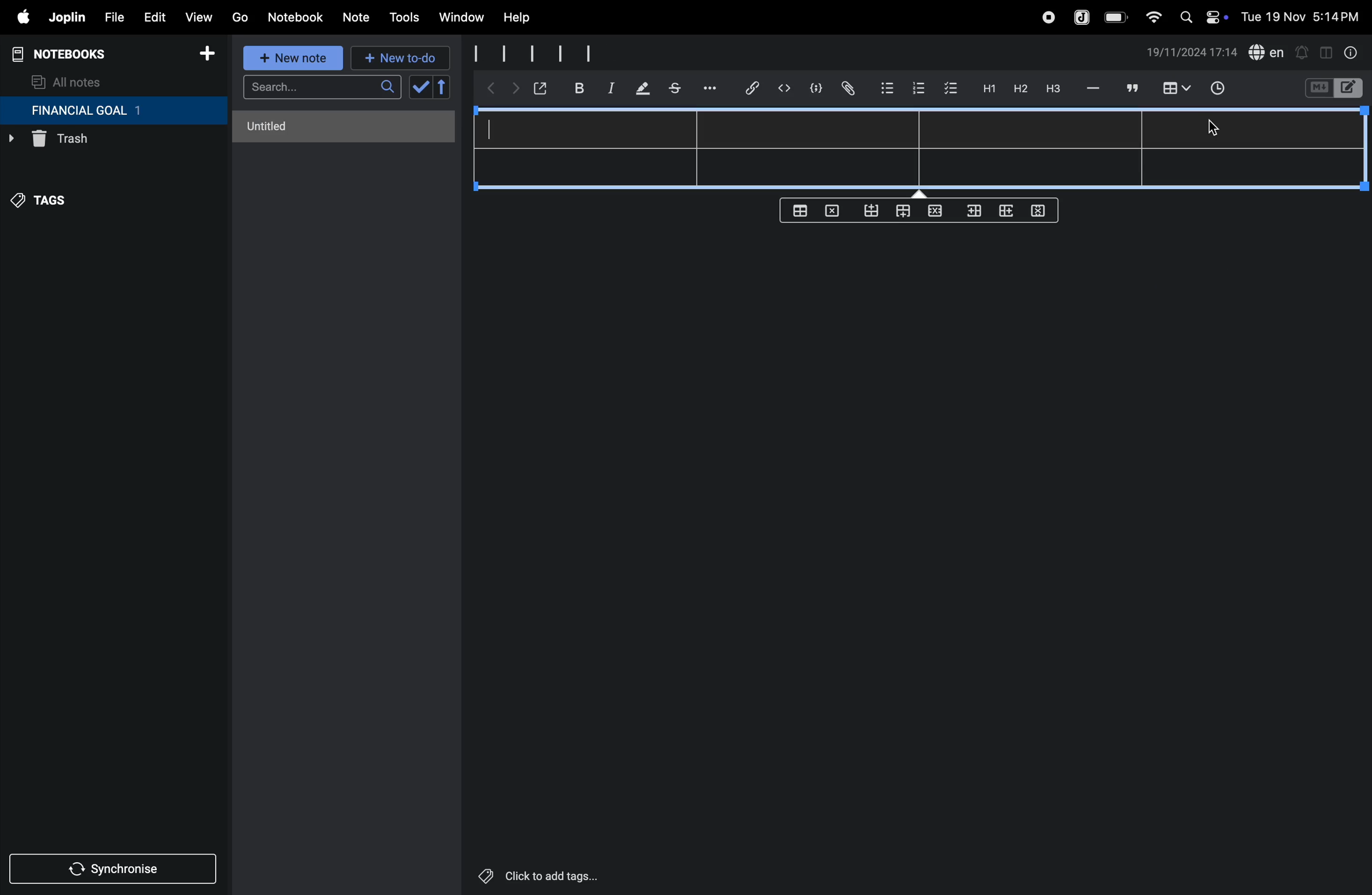 The image size is (1372, 895). I want to click on click to add tags, so click(567, 875).